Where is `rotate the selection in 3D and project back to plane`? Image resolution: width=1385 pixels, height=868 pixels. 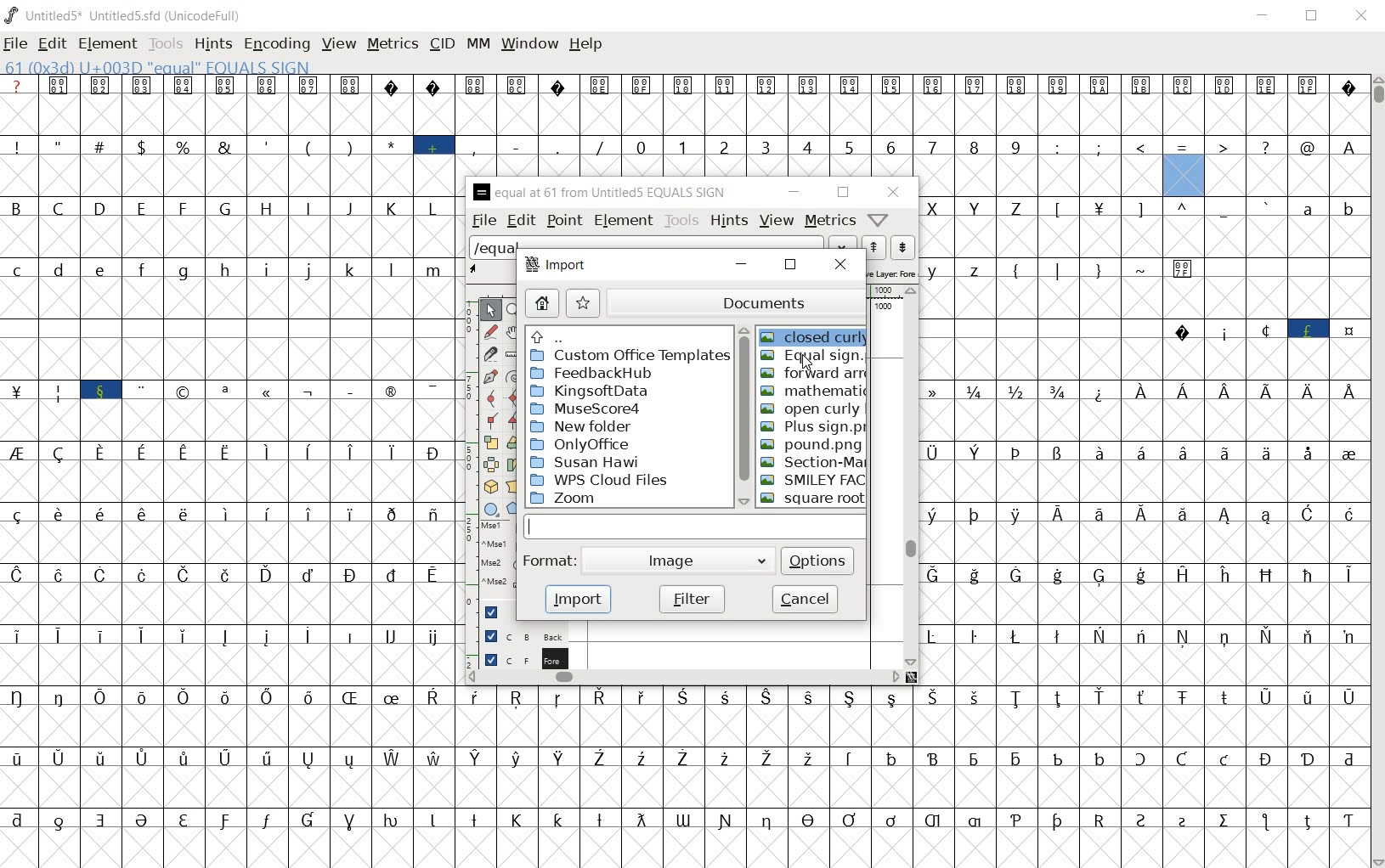 rotate the selection in 3D and project back to plane is located at coordinates (490, 486).